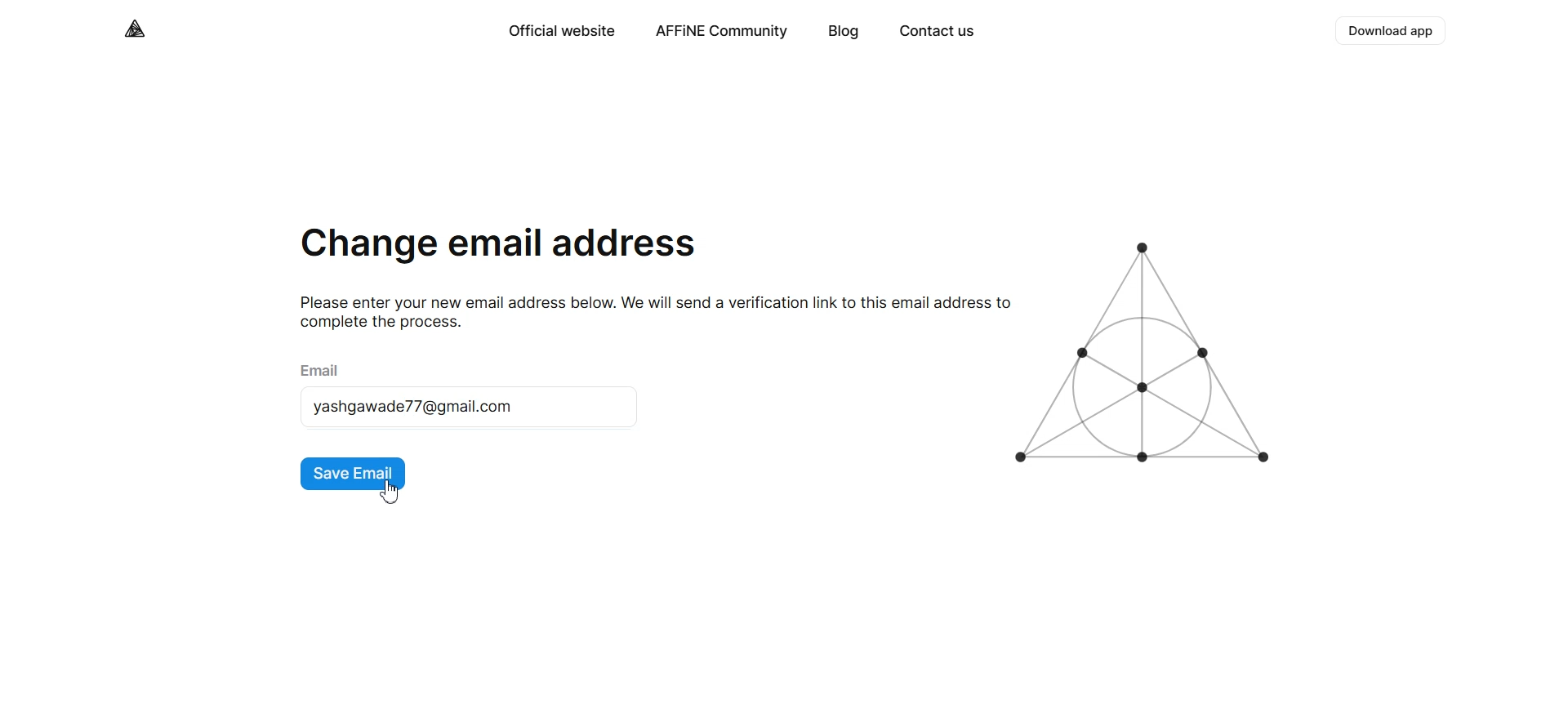  Describe the element at coordinates (136, 29) in the screenshot. I see `Logo` at that location.